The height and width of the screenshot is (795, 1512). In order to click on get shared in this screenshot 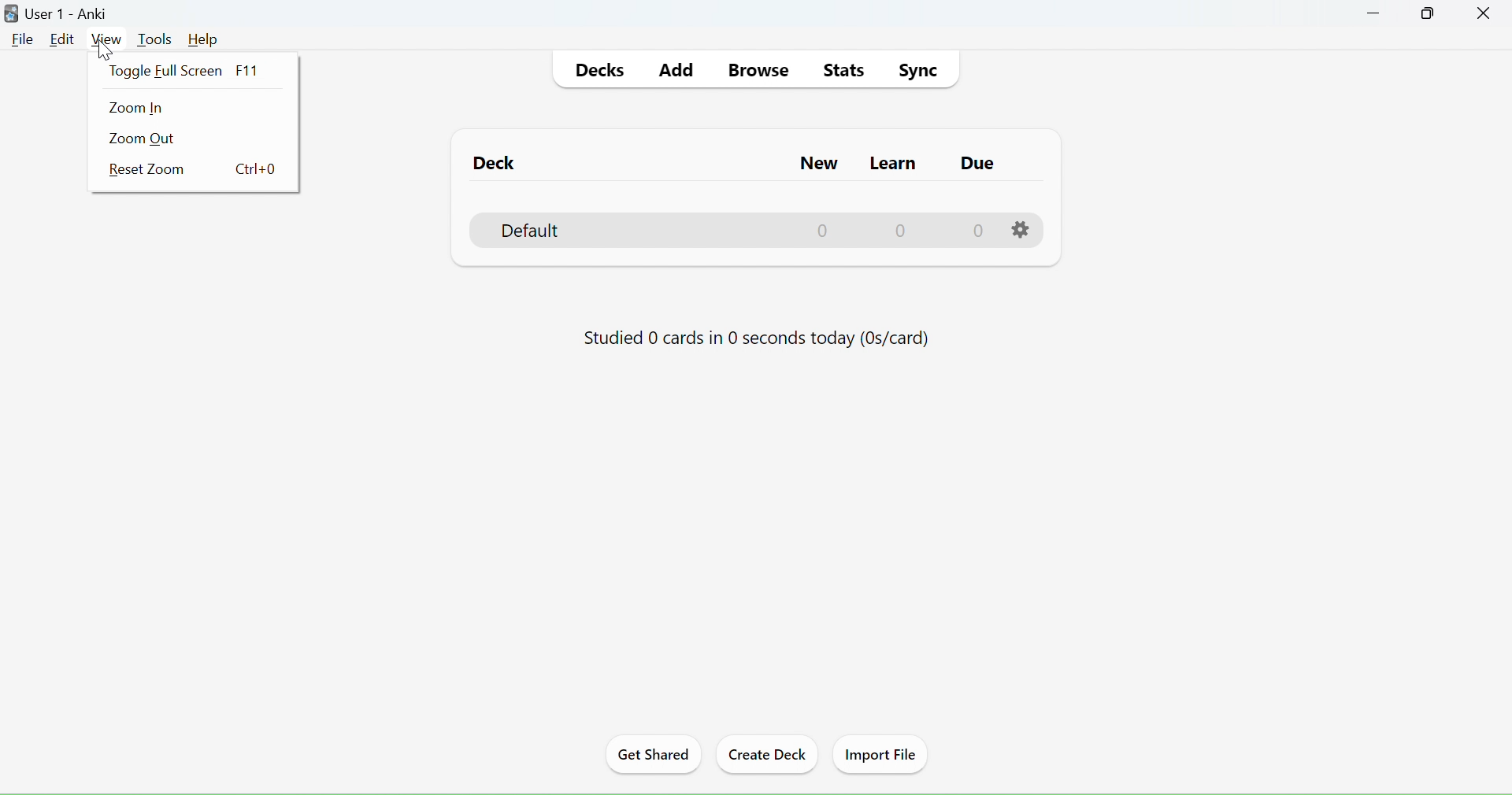, I will do `click(653, 755)`.